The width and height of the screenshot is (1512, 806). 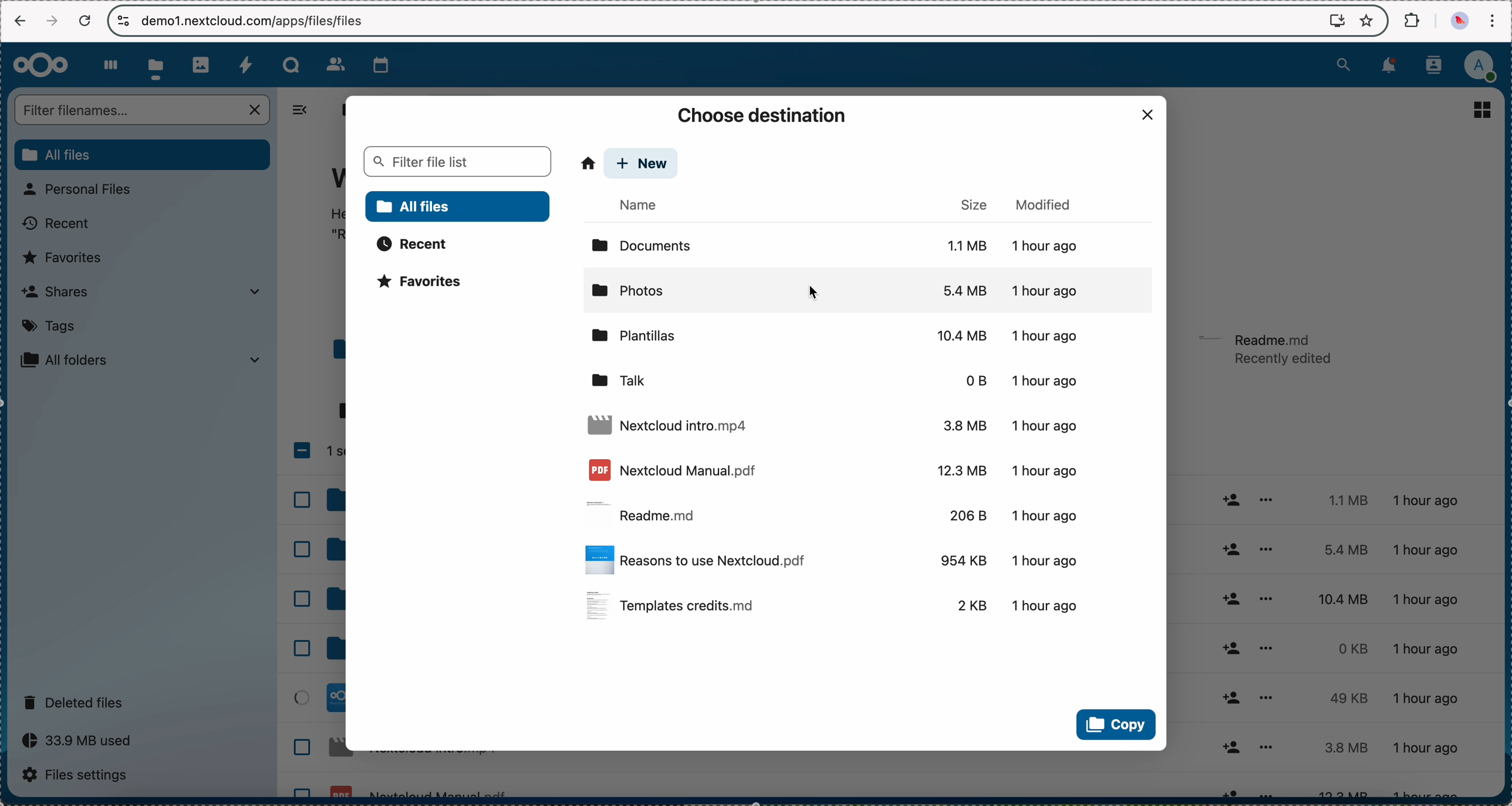 What do you see at coordinates (1493, 21) in the screenshot?
I see `customize and control Google Chrome` at bounding box center [1493, 21].